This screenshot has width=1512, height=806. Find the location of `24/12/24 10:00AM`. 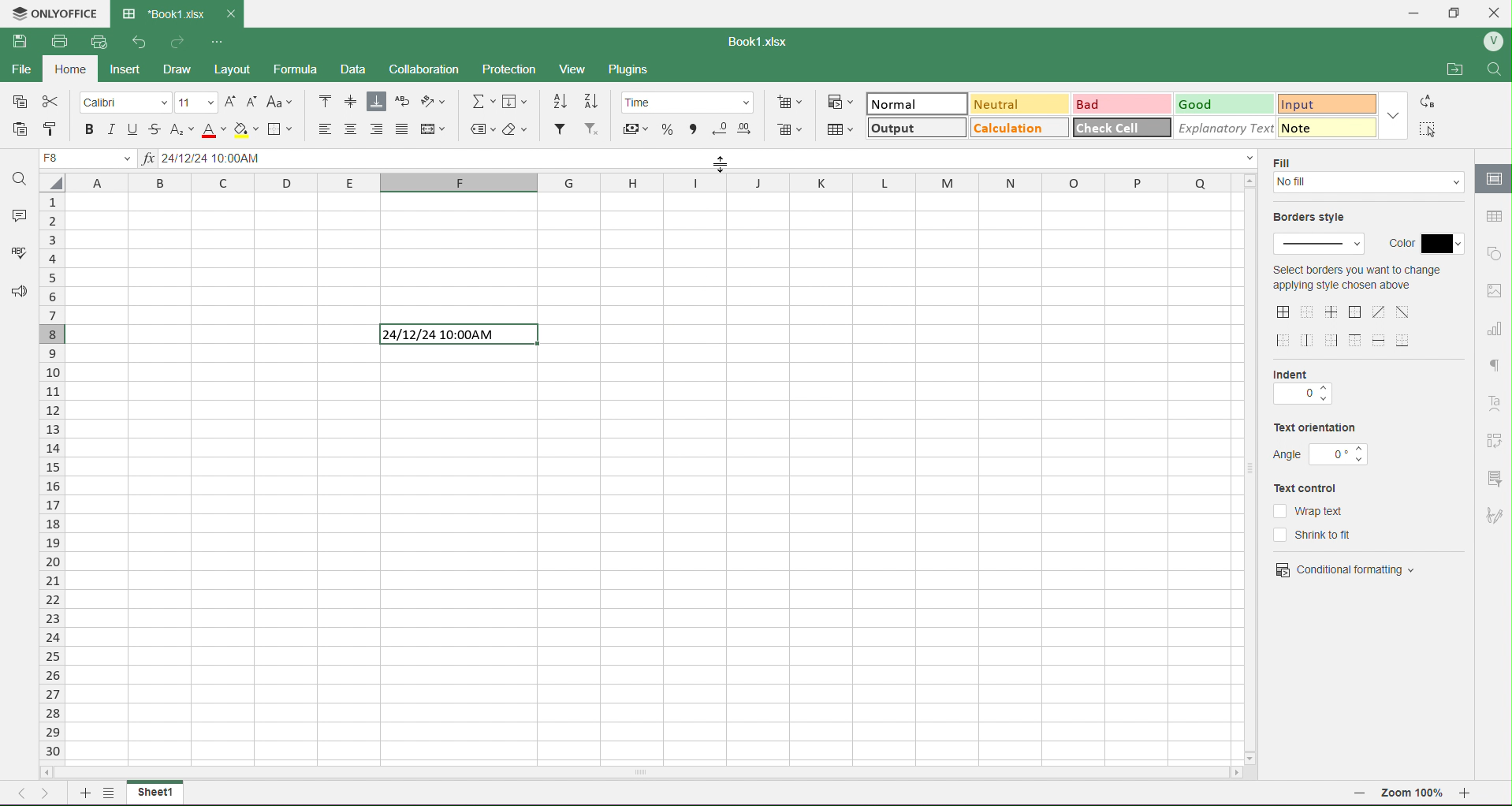

24/12/24 10:00AM is located at coordinates (453, 335).